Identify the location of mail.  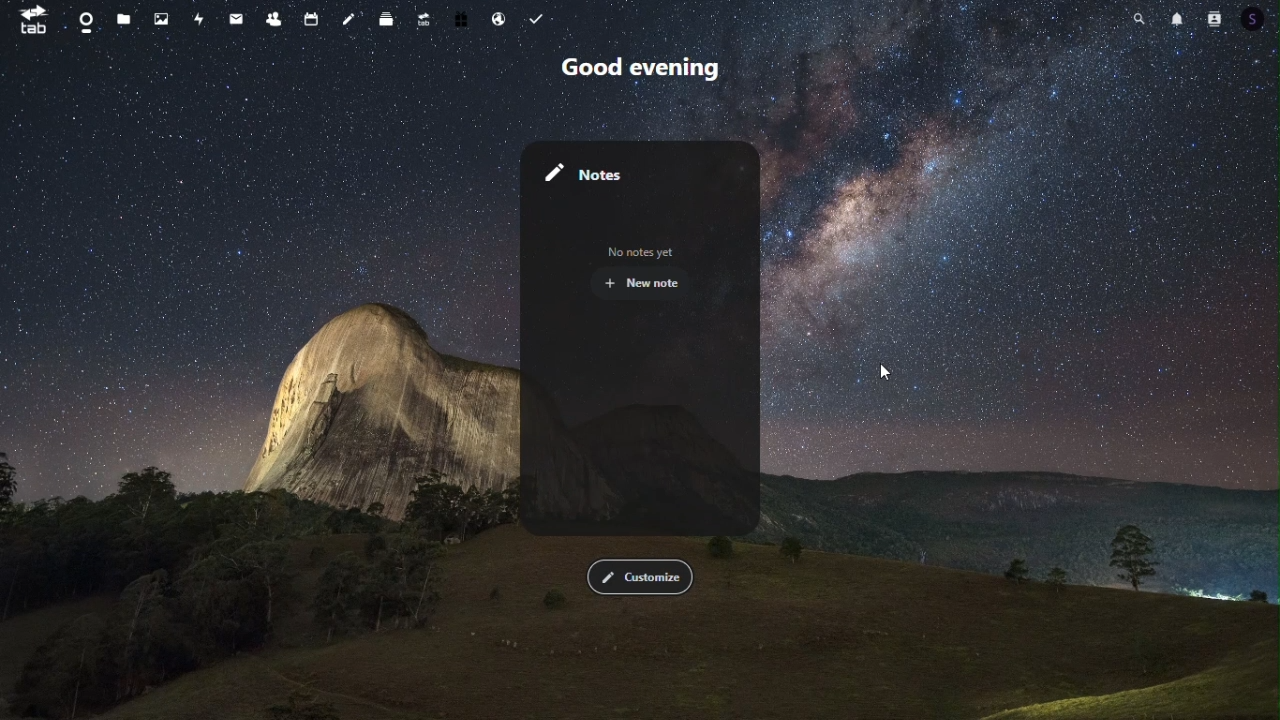
(235, 22).